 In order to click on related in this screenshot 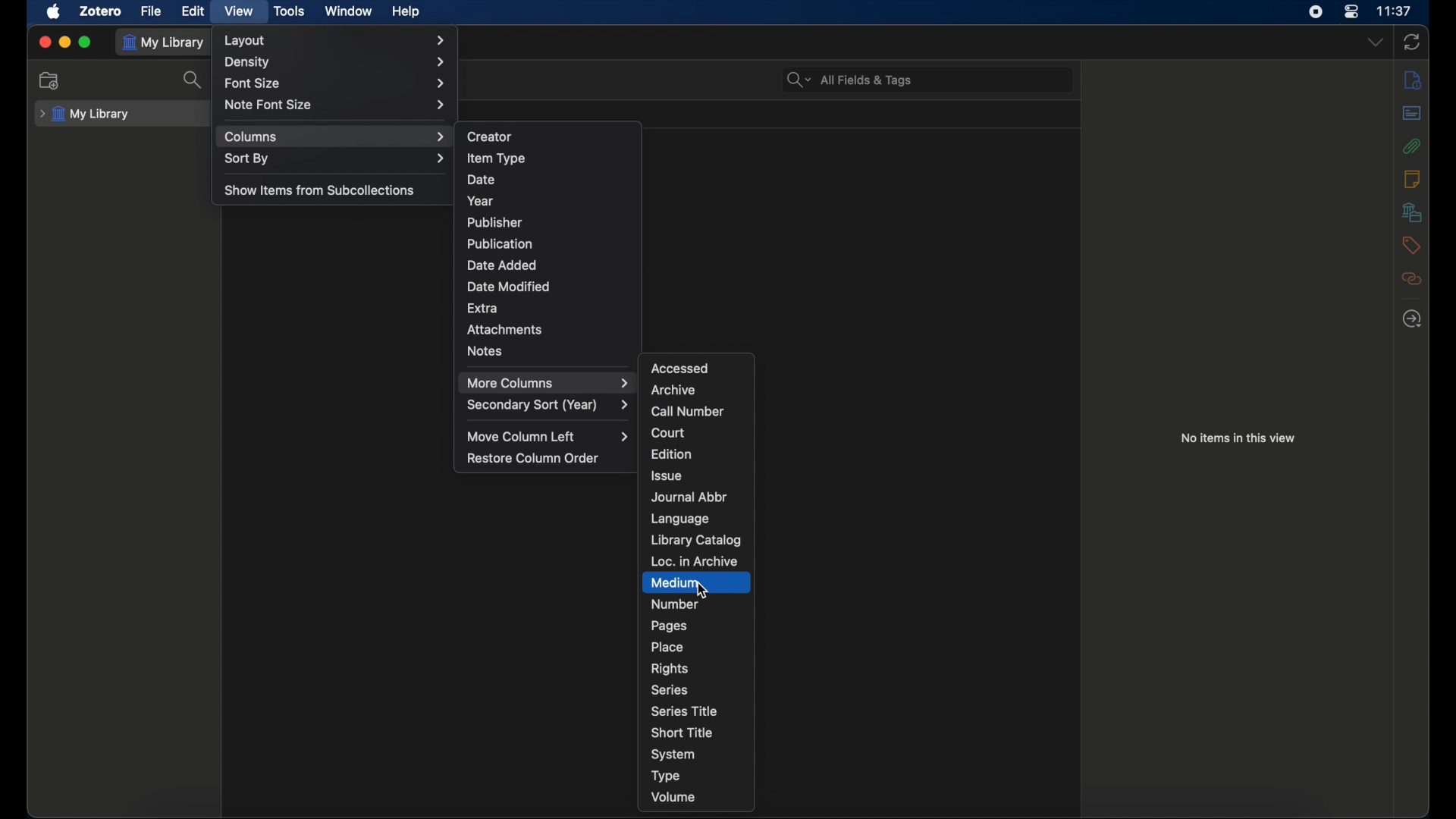, I will do `click(1412, 279)`.